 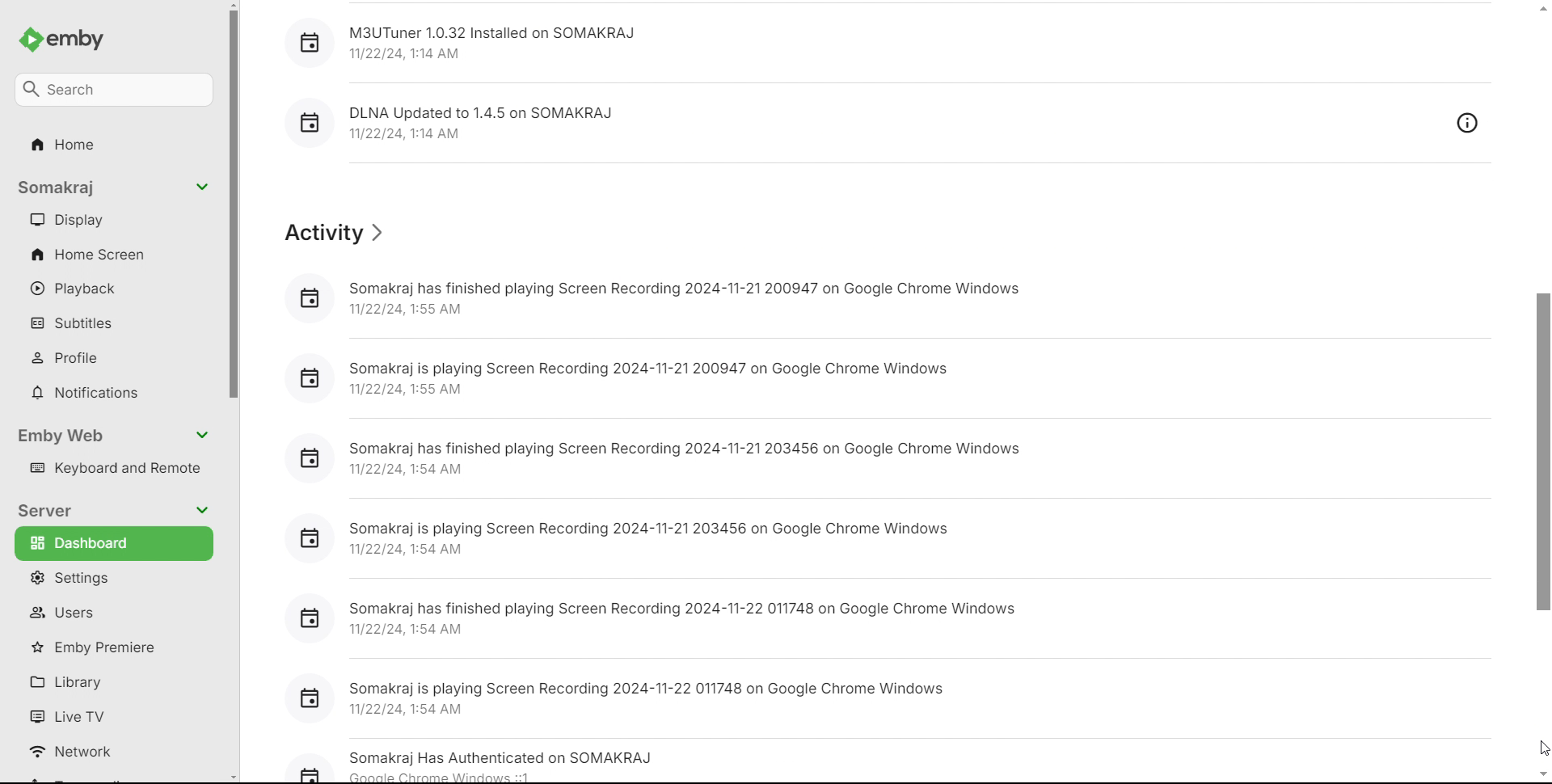 What do you see at coordinates (1468, 123) in the screenshot?
I see `overview` at bounding box center [1468, 123].